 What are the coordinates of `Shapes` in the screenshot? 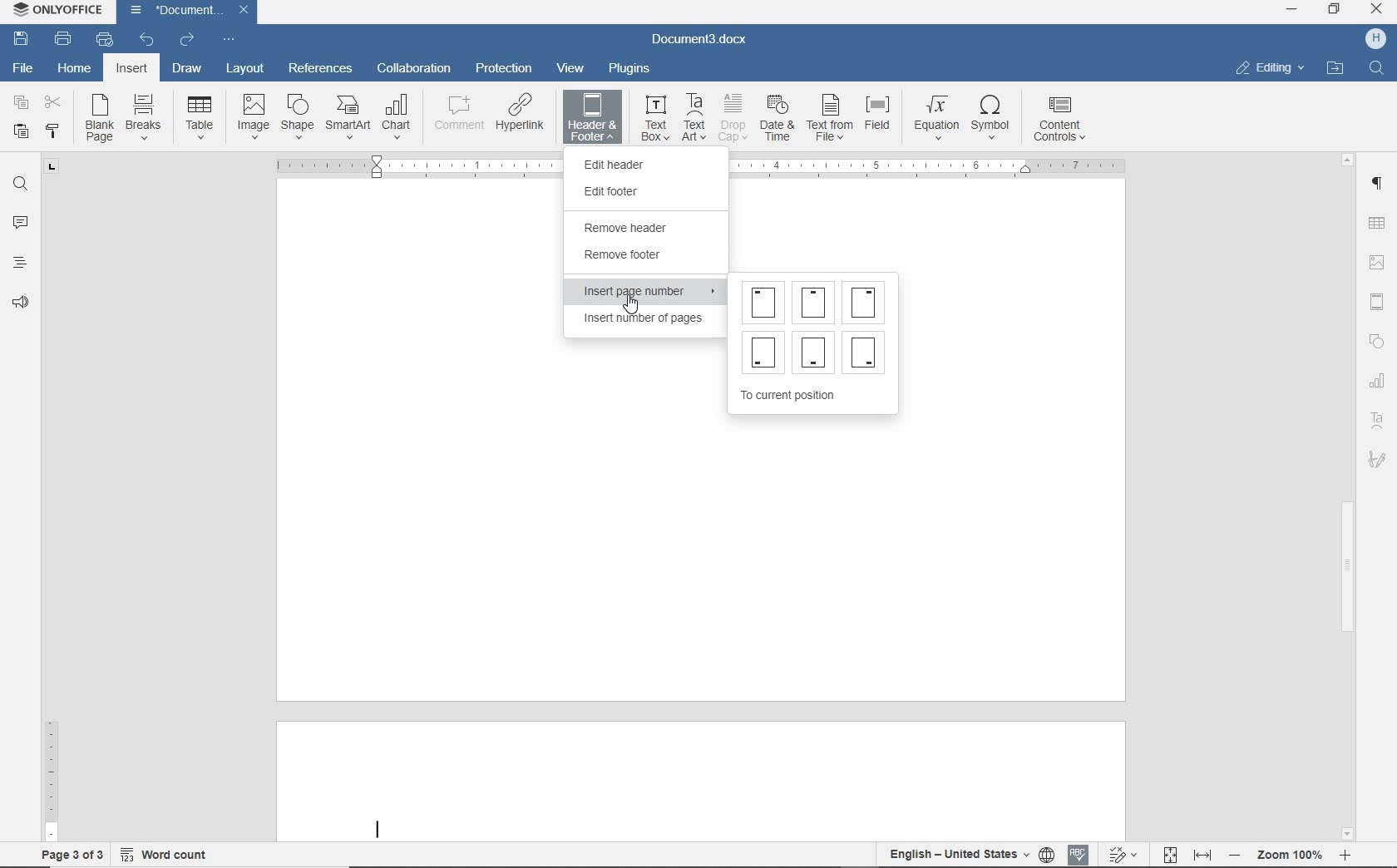 It's located at (1381, 343).